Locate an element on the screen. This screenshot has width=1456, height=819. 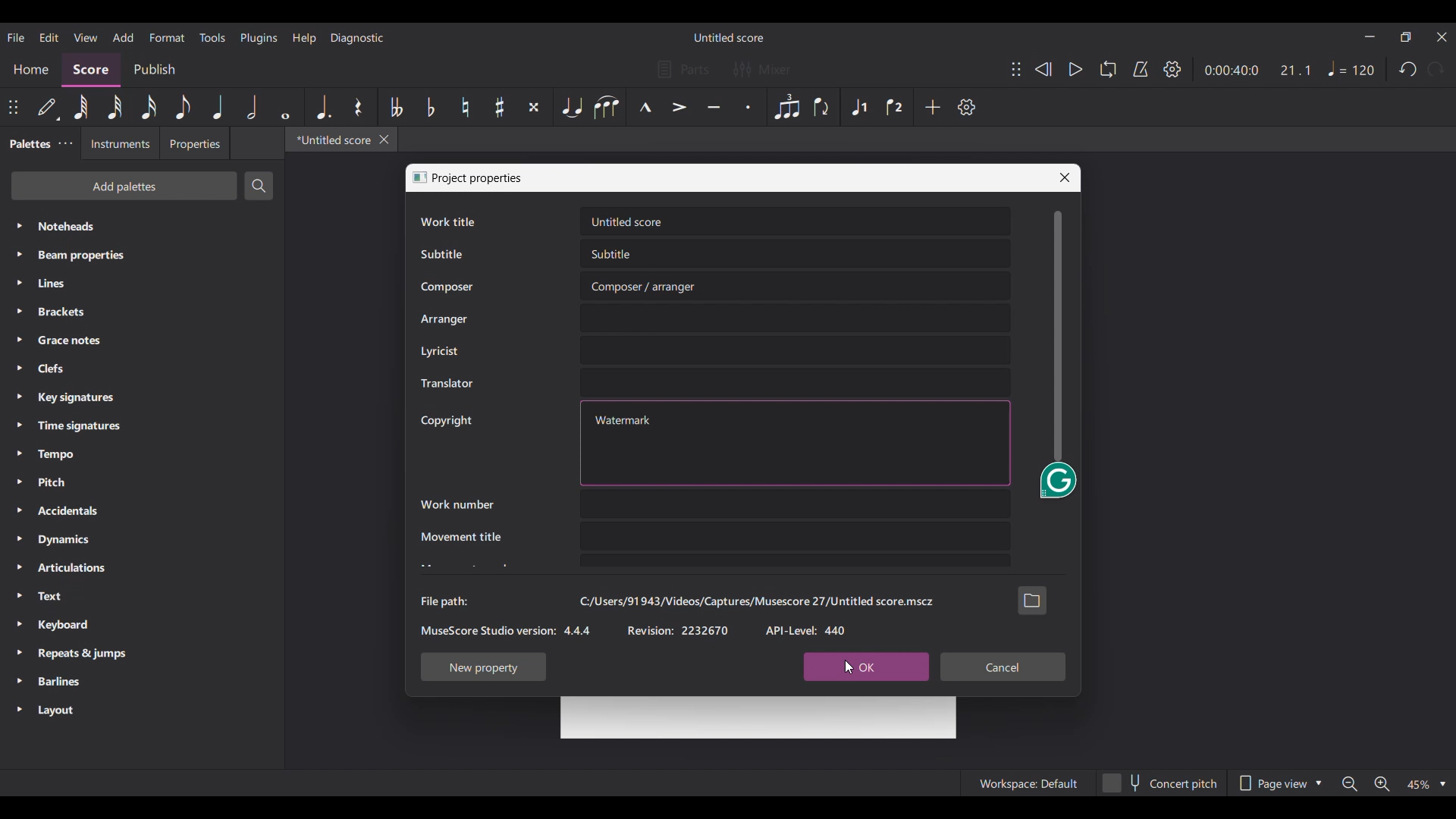
Window logo is located at coordinates (419, 177).